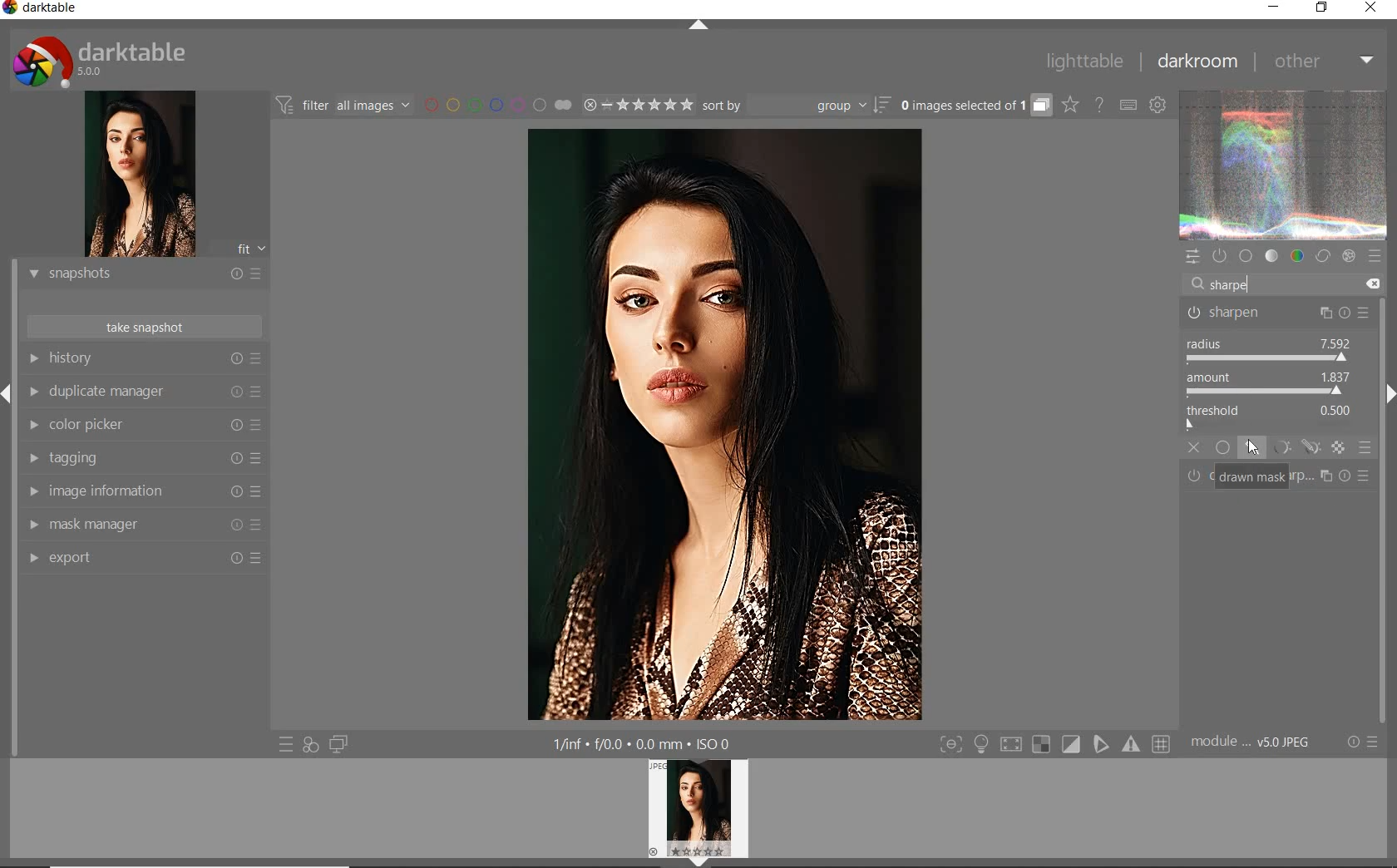 The image size is (1397, 868). I want to click on sign, so click(1345, 475).